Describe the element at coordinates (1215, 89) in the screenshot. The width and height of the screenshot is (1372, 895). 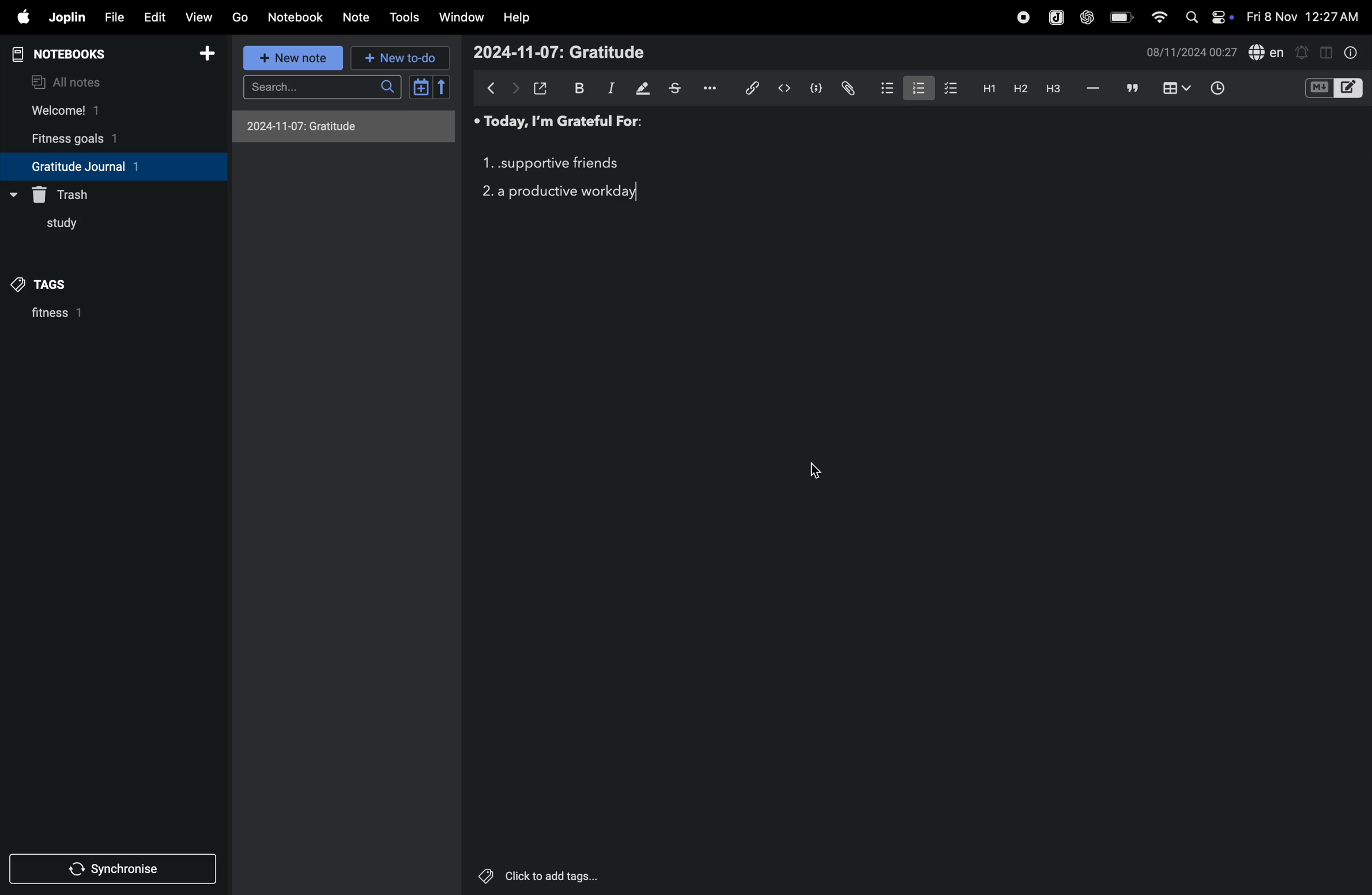
I see `insert time` at that location.